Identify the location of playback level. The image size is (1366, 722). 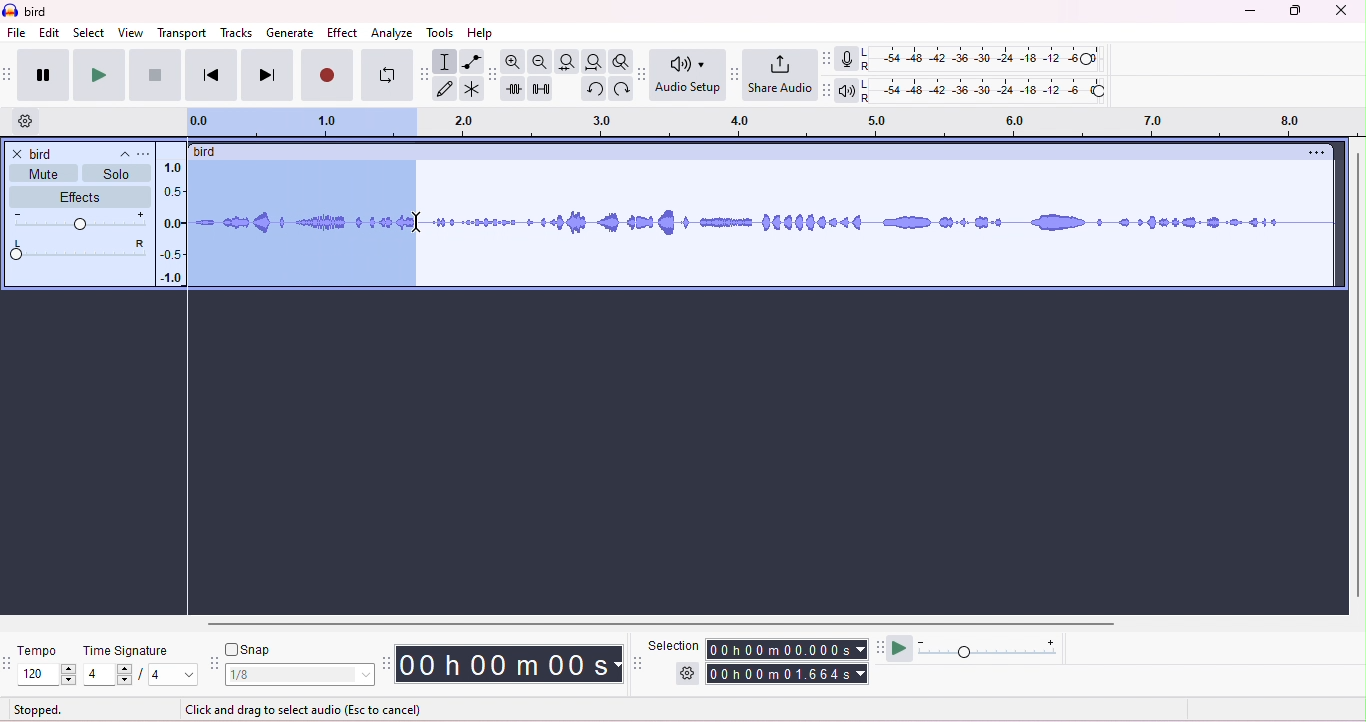
(997, 90).